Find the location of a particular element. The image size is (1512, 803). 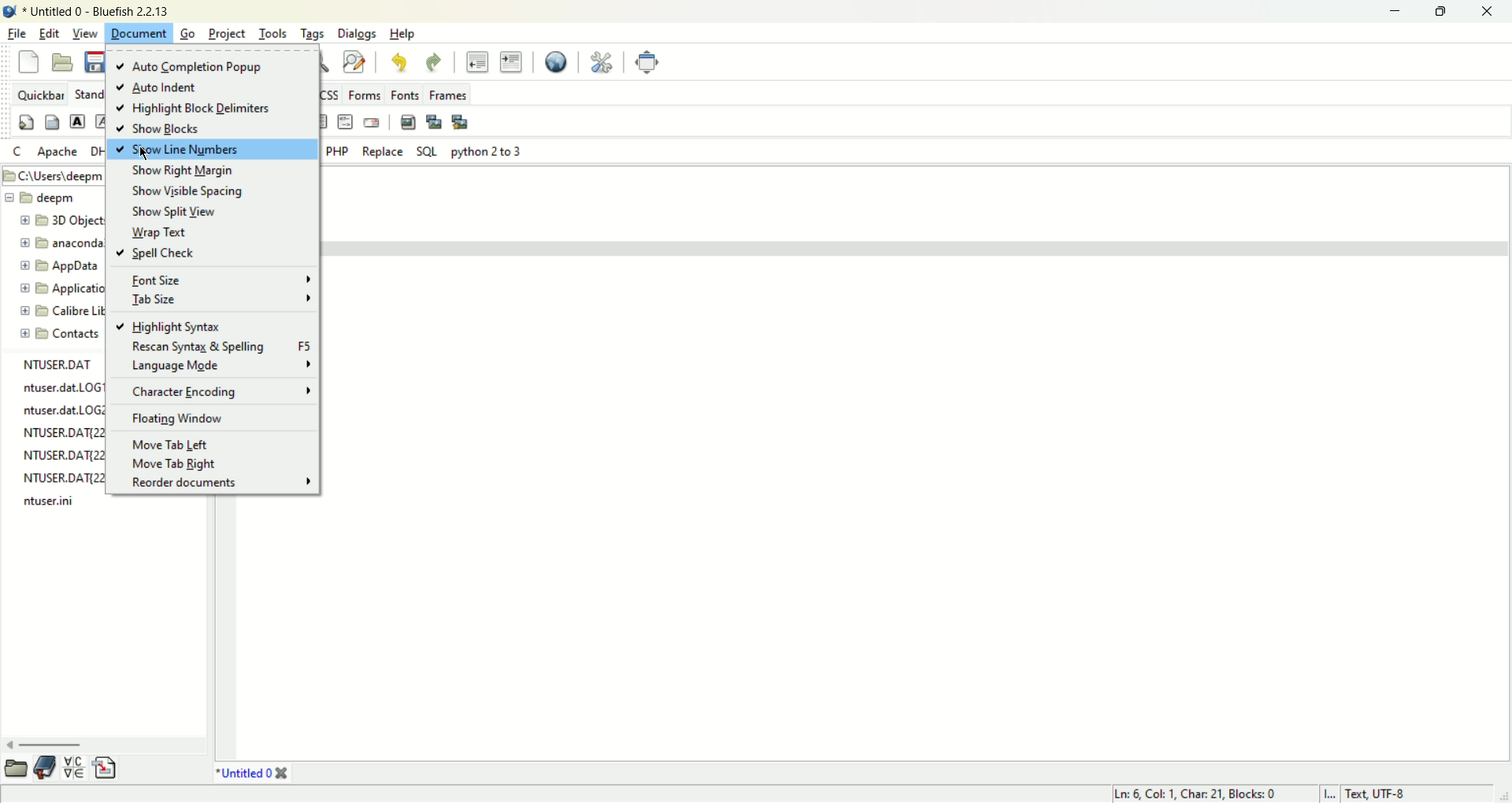

charmap is located at coordinates (74, 768).